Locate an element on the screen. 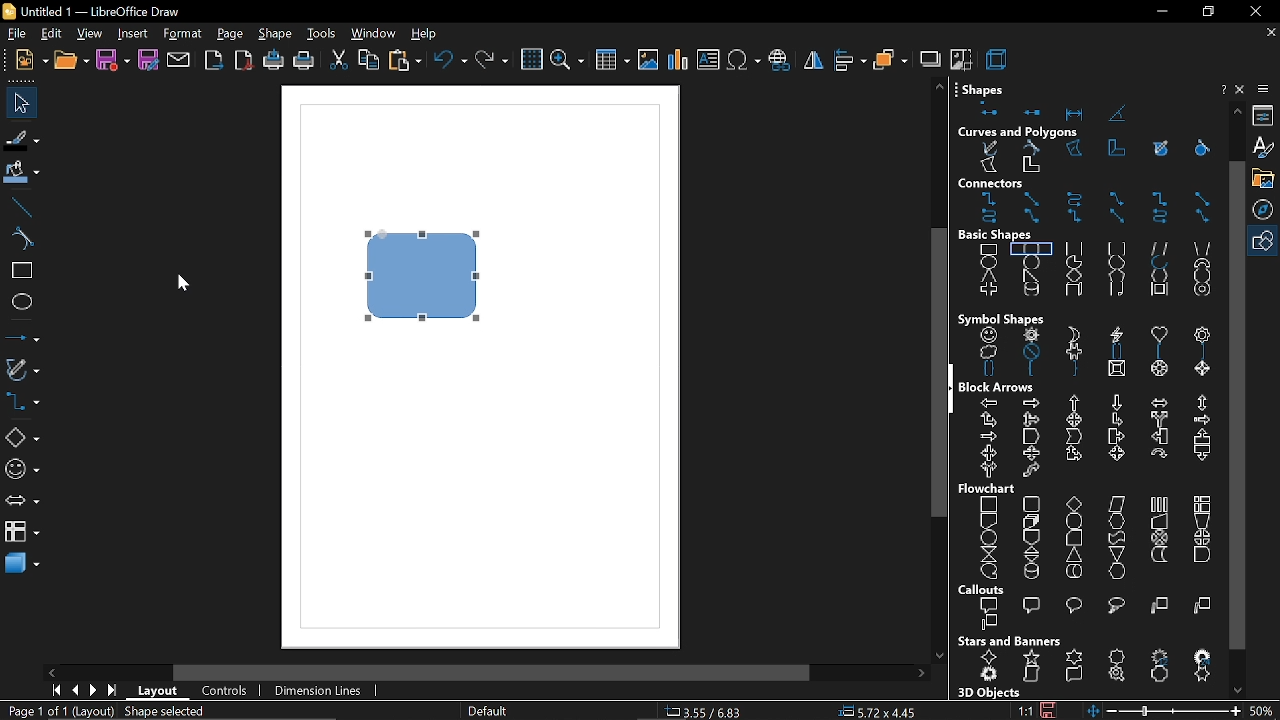  move right is located at coordinates (921, 674).